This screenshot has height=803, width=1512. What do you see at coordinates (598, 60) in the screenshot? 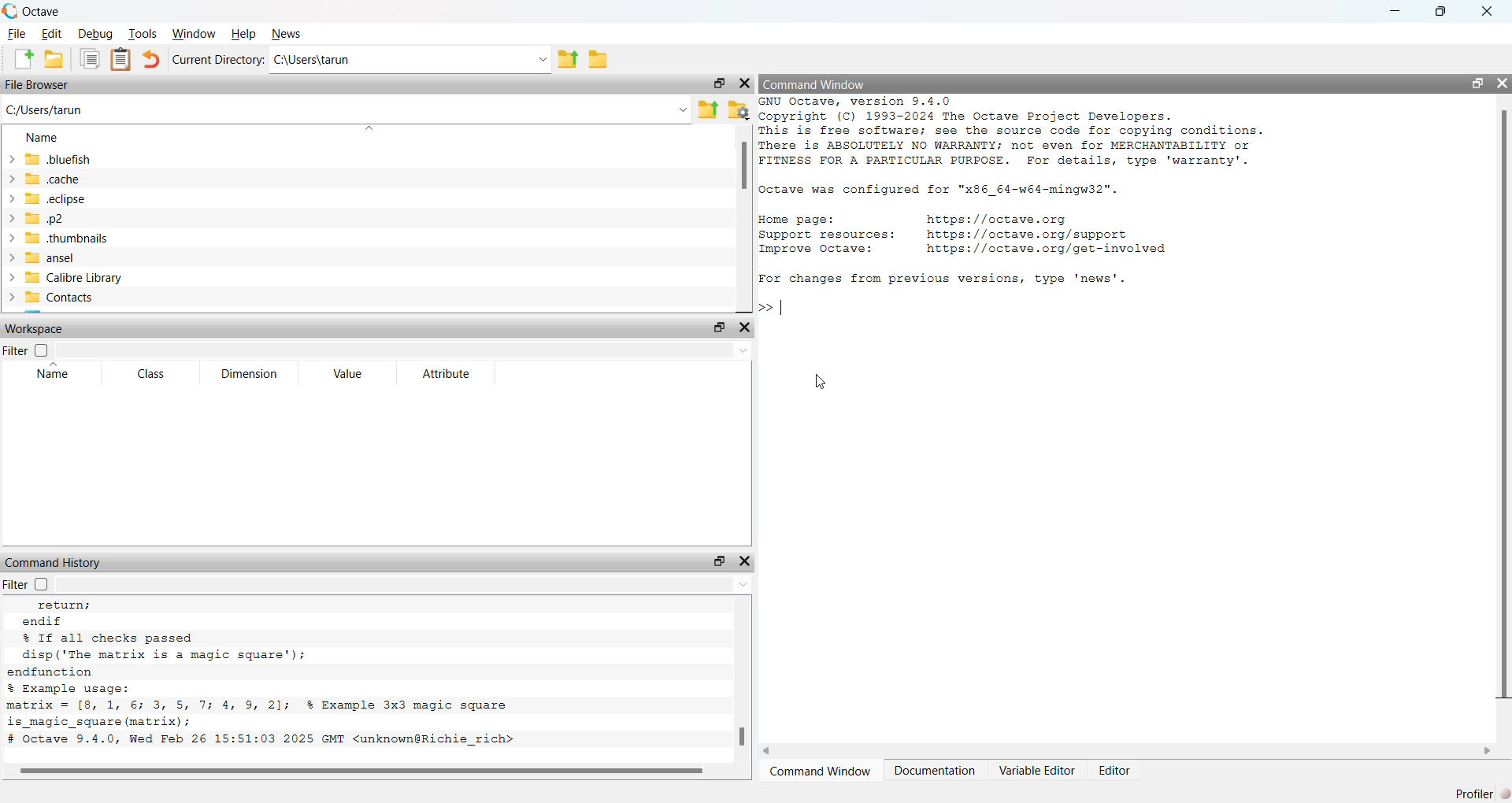
I see `Folder` at bounding box center [598, 60].